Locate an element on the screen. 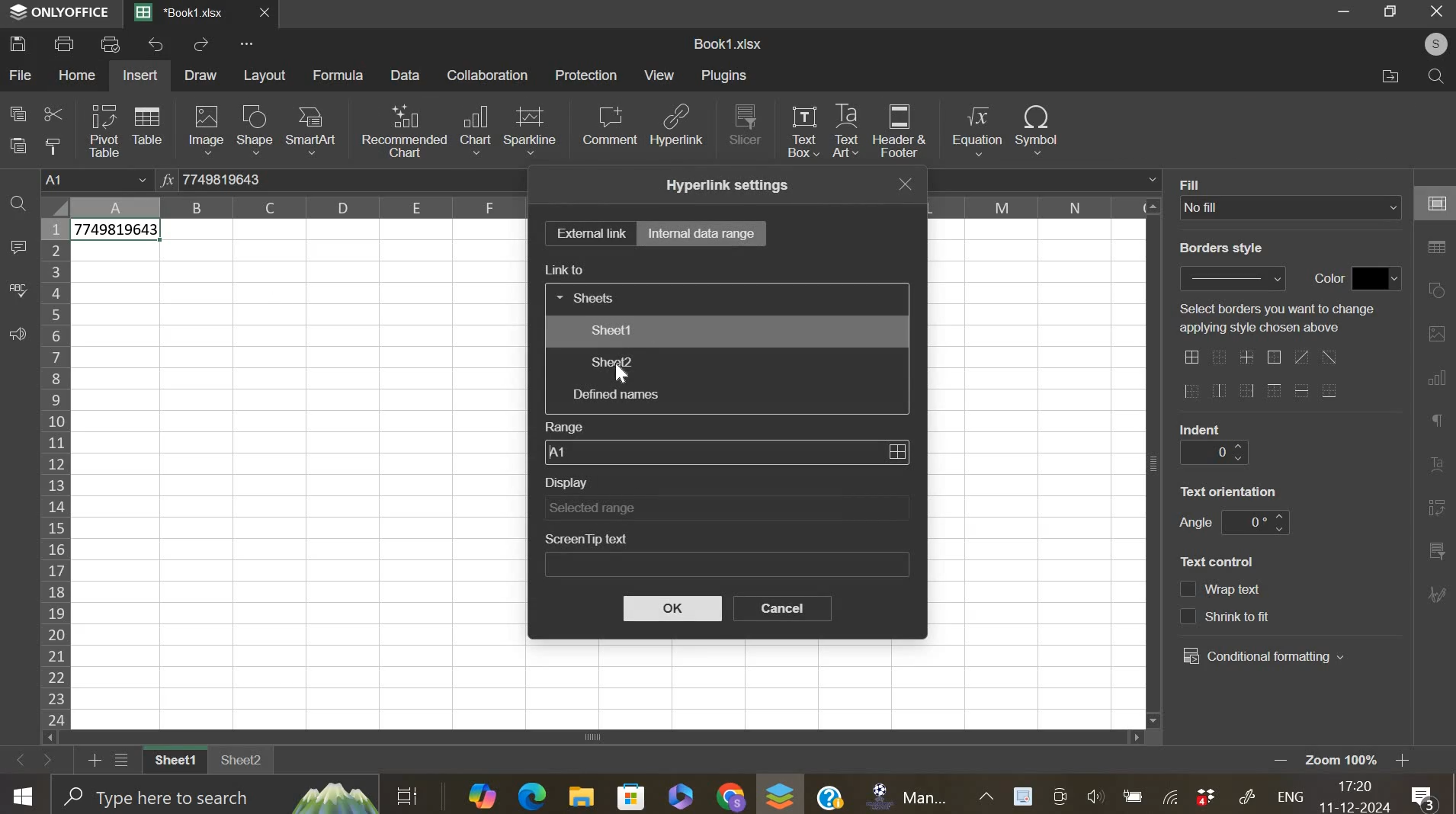 The height and width of the screenshot is (814, 1456). table is located at coordinates (146, 124).